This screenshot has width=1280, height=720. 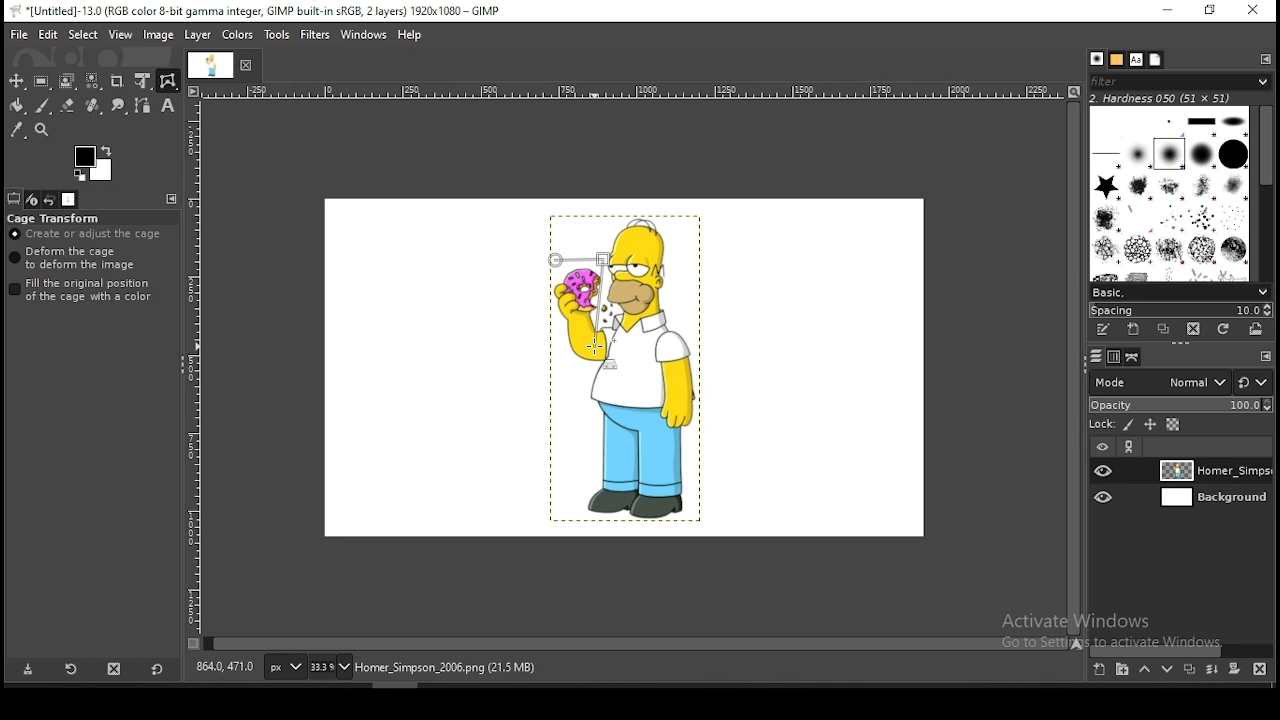 I want to click on device status, so click(x=31, y=199).